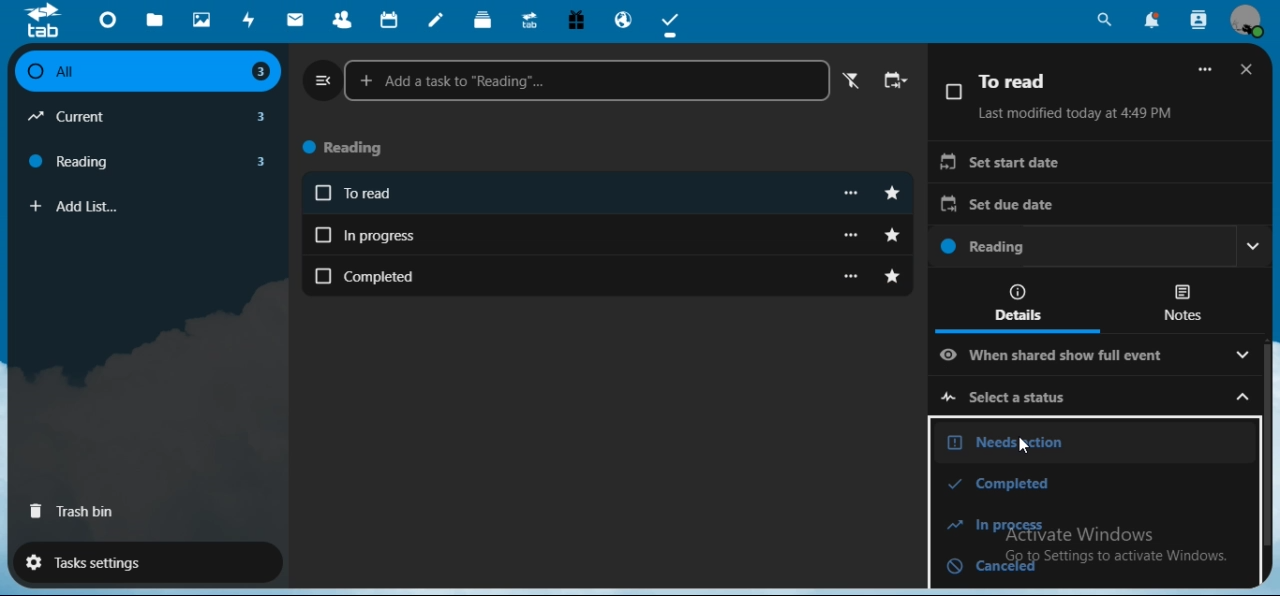  What do you see at coordinates (894, 235) in the screenshot?
I see `toggle starred` at bounding box center [894, 235].